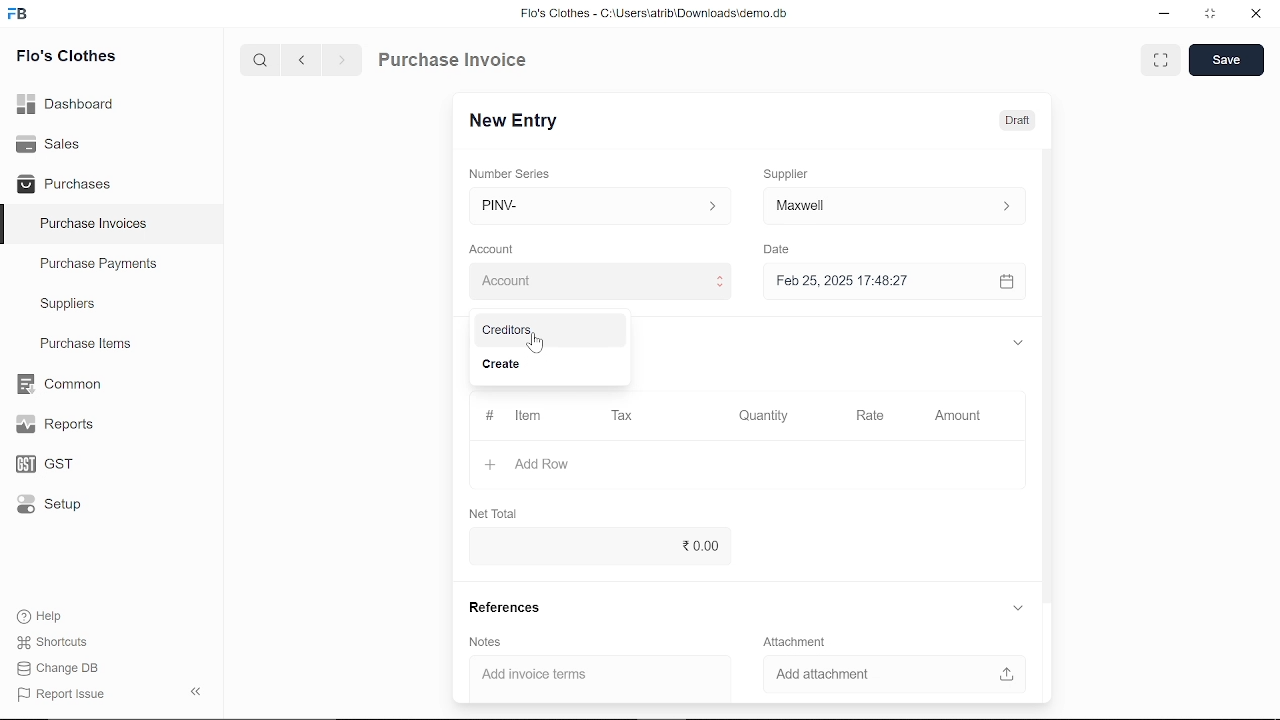 The image size is (1280, 720). I want to click on Quantity, so click(766, 415).